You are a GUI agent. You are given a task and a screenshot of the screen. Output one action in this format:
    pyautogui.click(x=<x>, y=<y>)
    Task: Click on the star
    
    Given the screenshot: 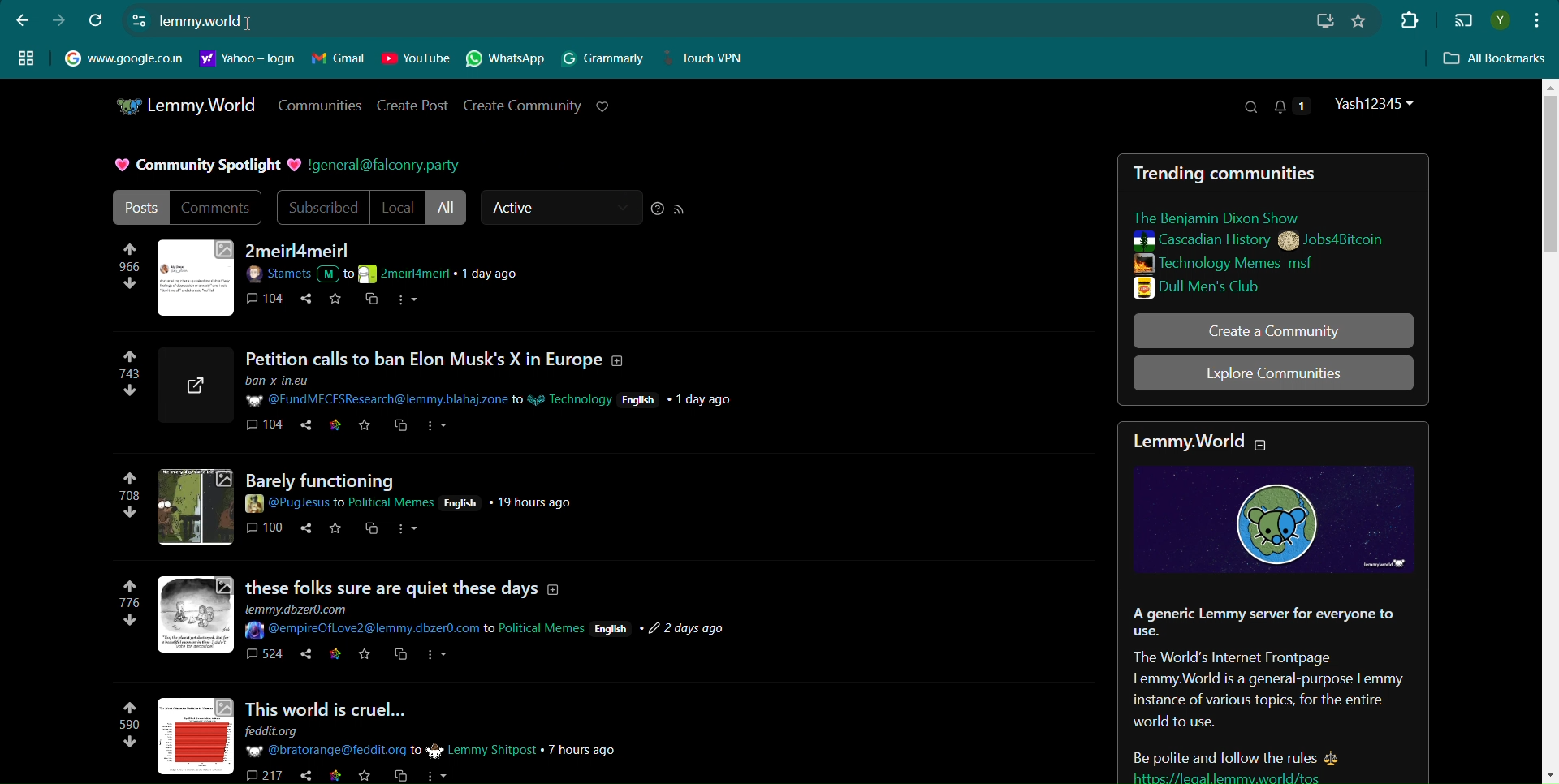 What is the action you would take?
    pyautogui.click(x=334, y=657)
    